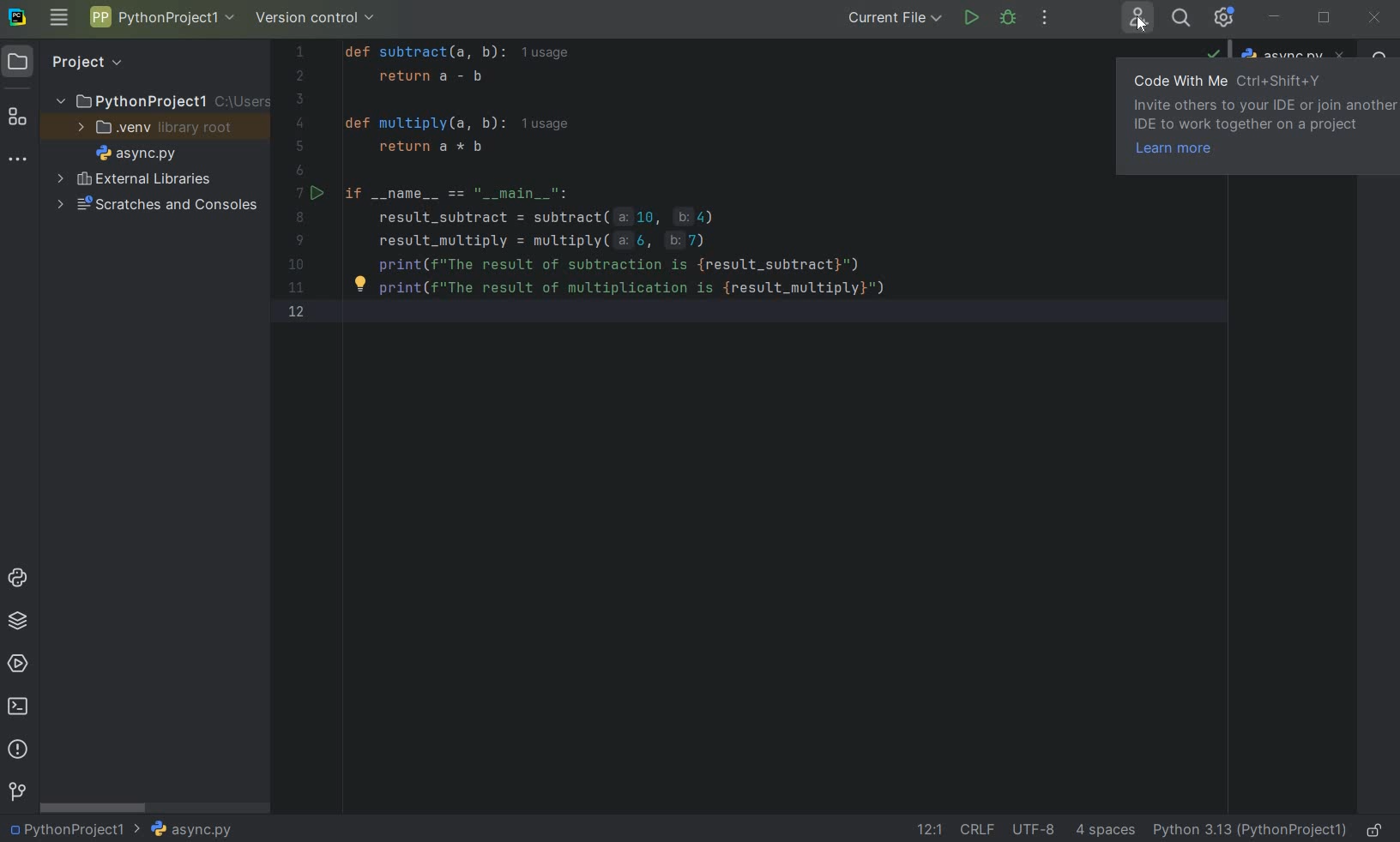  Describe the element at coordinates (1040, 829) in the screenshot. I see `FILE ENCODING` at that location.